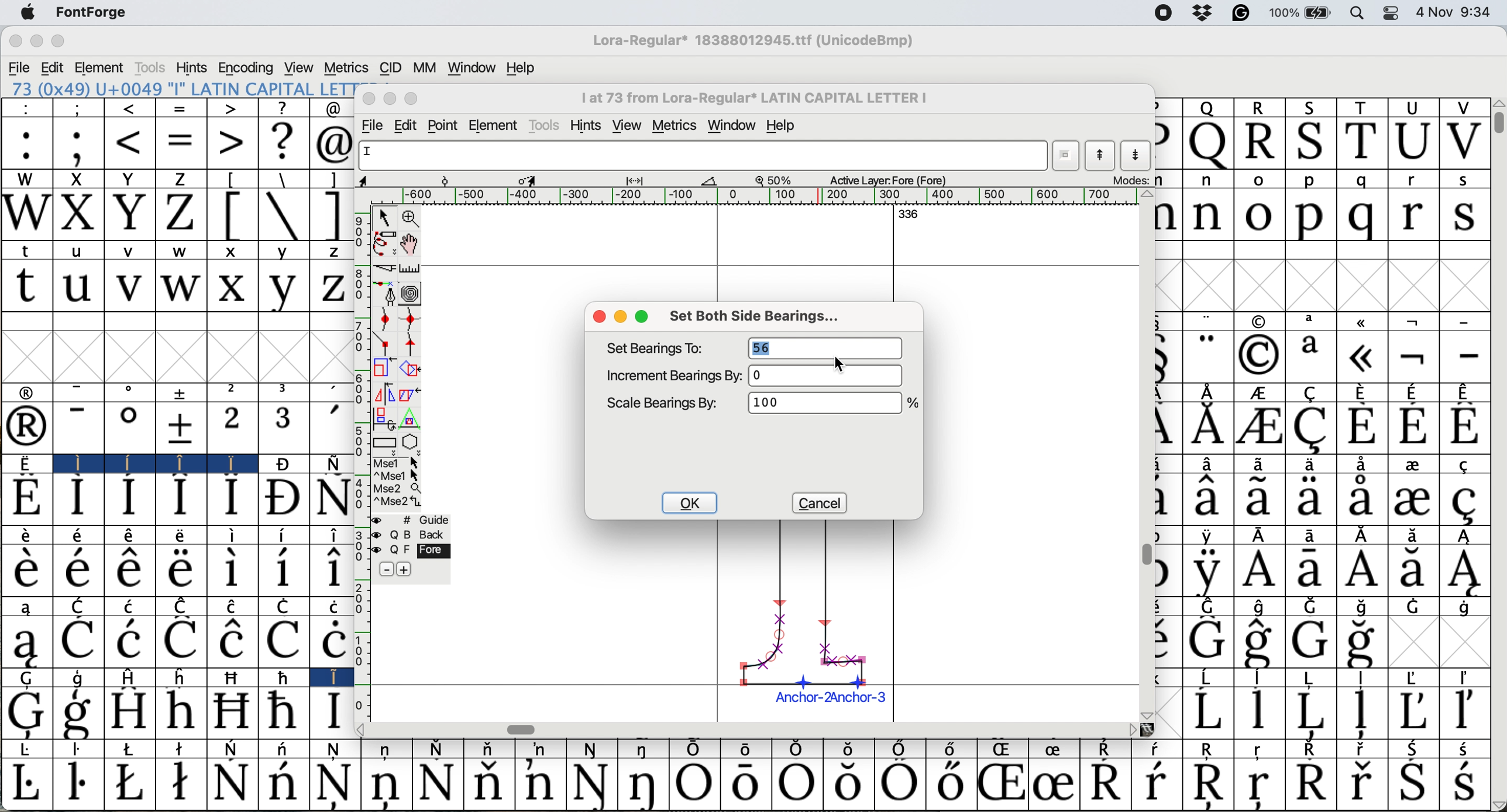 The height and width of the screenshot is (812, 1507). I want to click on stars and polygons, so click(412, 442).